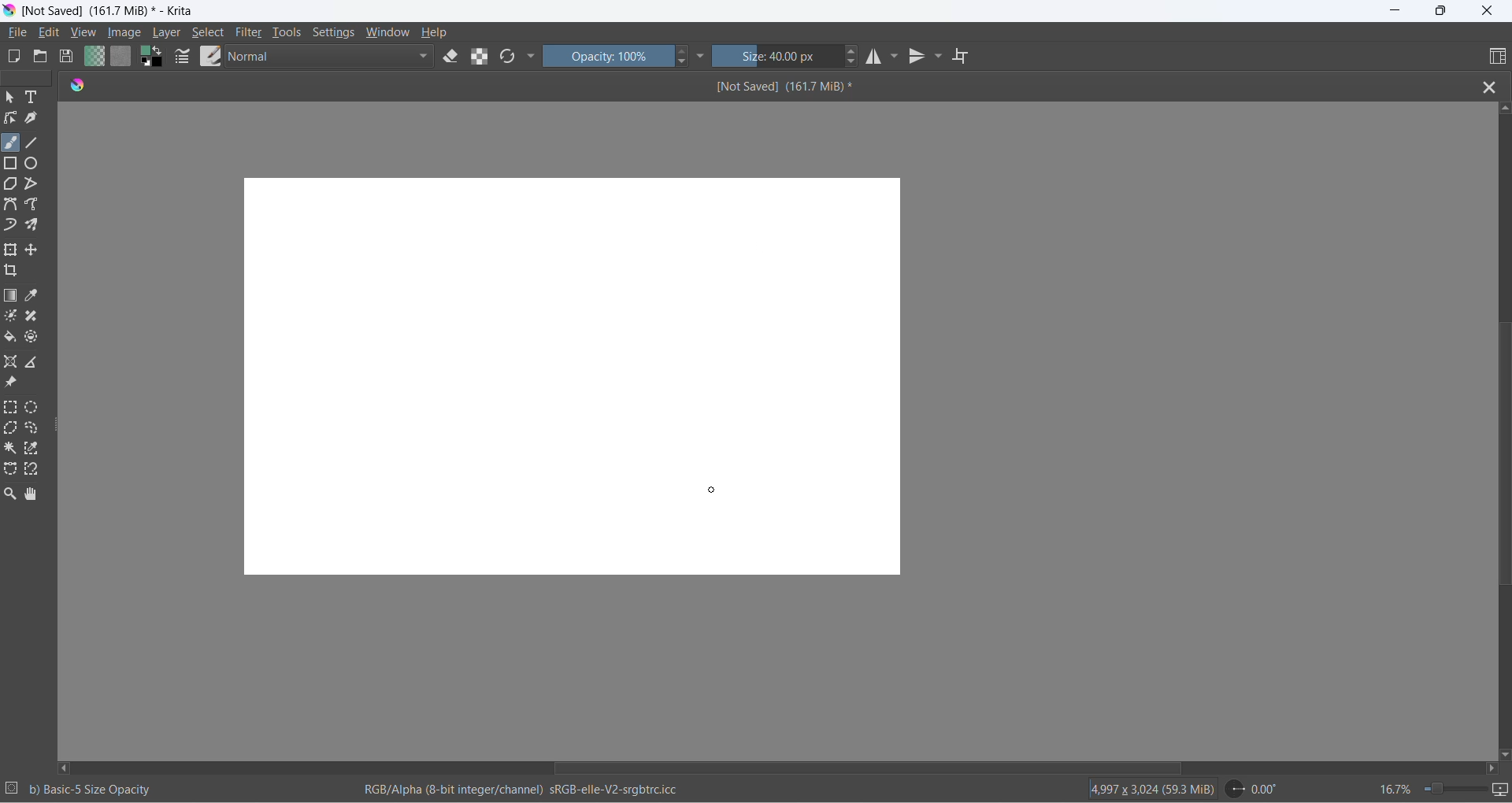 Image resolution: width=1512 pixels, height=803 pixels. What do you see at coordinates (35, 471) in the screenshot?
I see `magnetic curve selection tool` at bounding box center [35, 471].